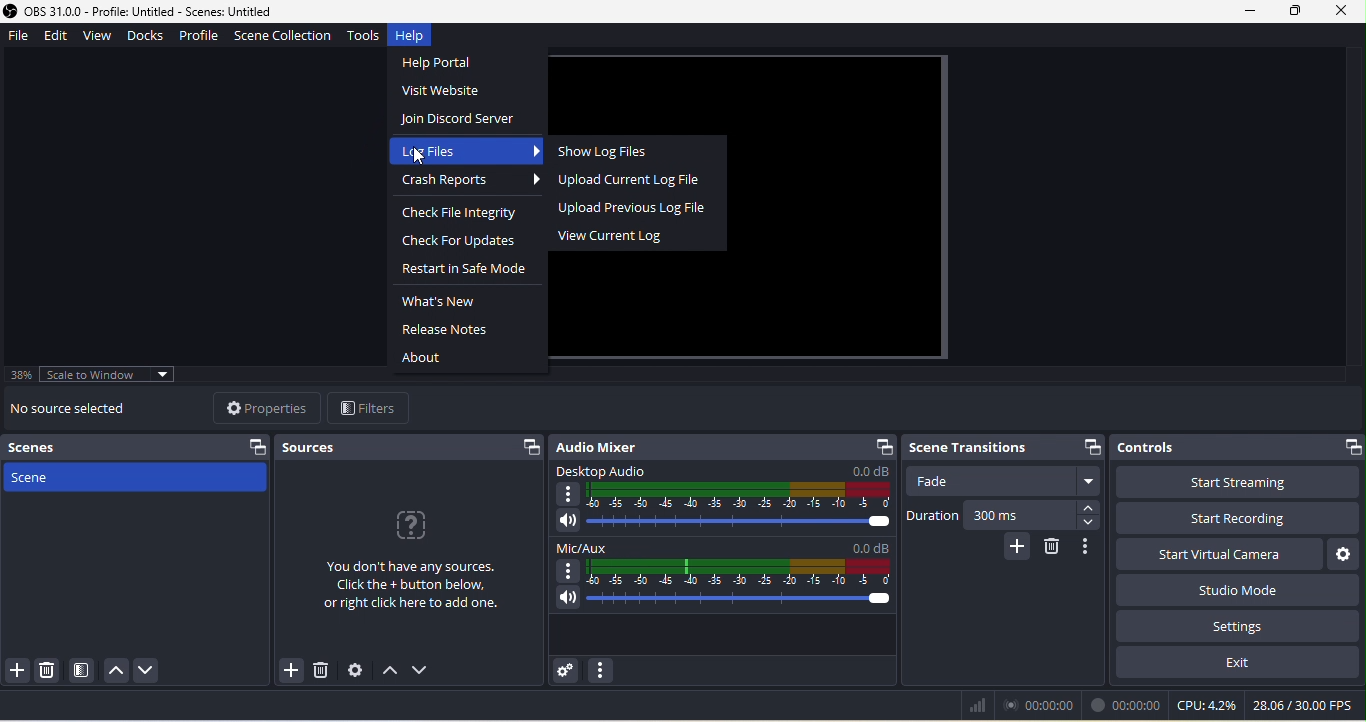  What do you see at coordinates (365, 38) in the screenshot?
I see `tools` at bounding box center [365, 38].